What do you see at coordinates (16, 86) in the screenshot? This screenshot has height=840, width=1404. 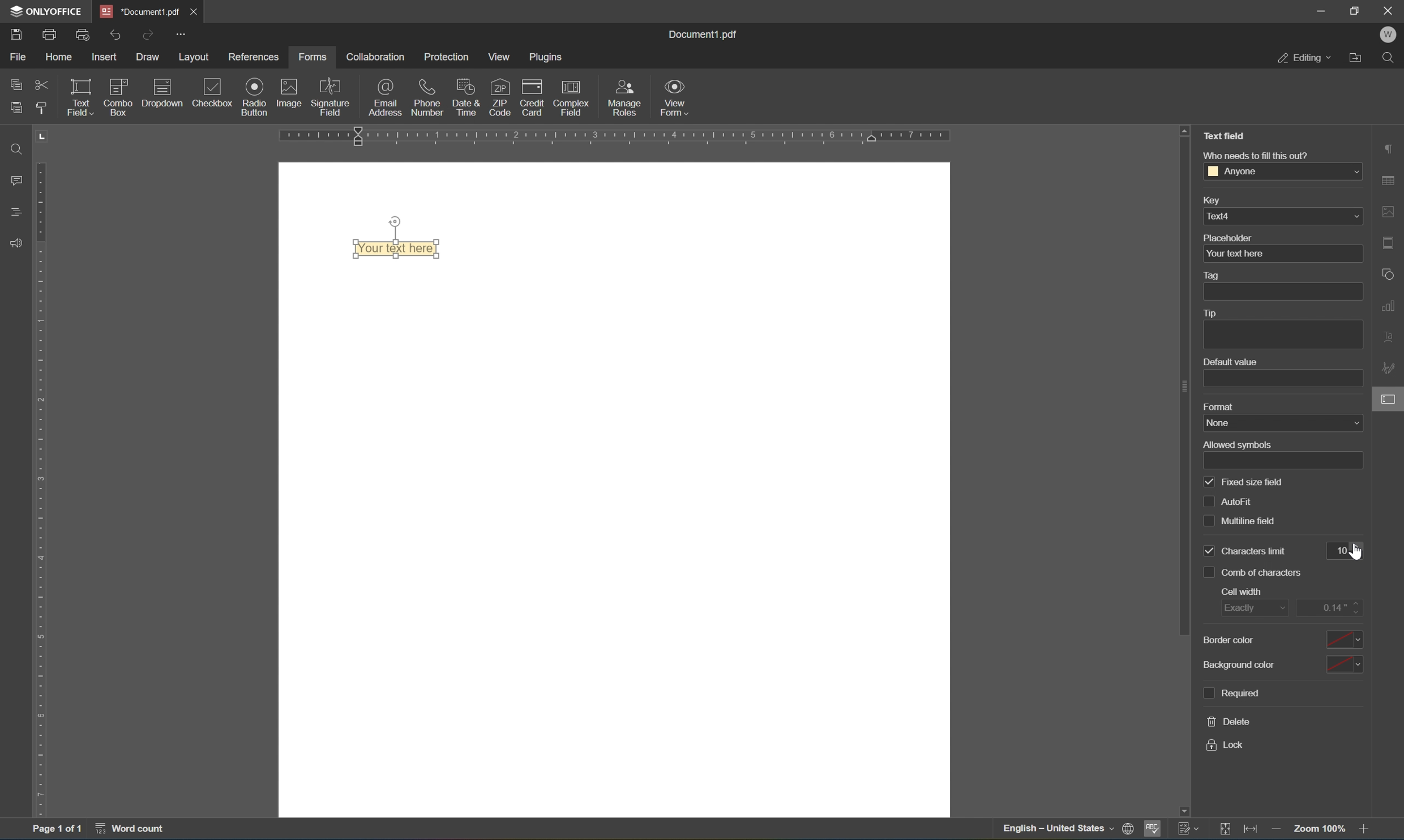 I see `copy` at bounding box center [16, 86].